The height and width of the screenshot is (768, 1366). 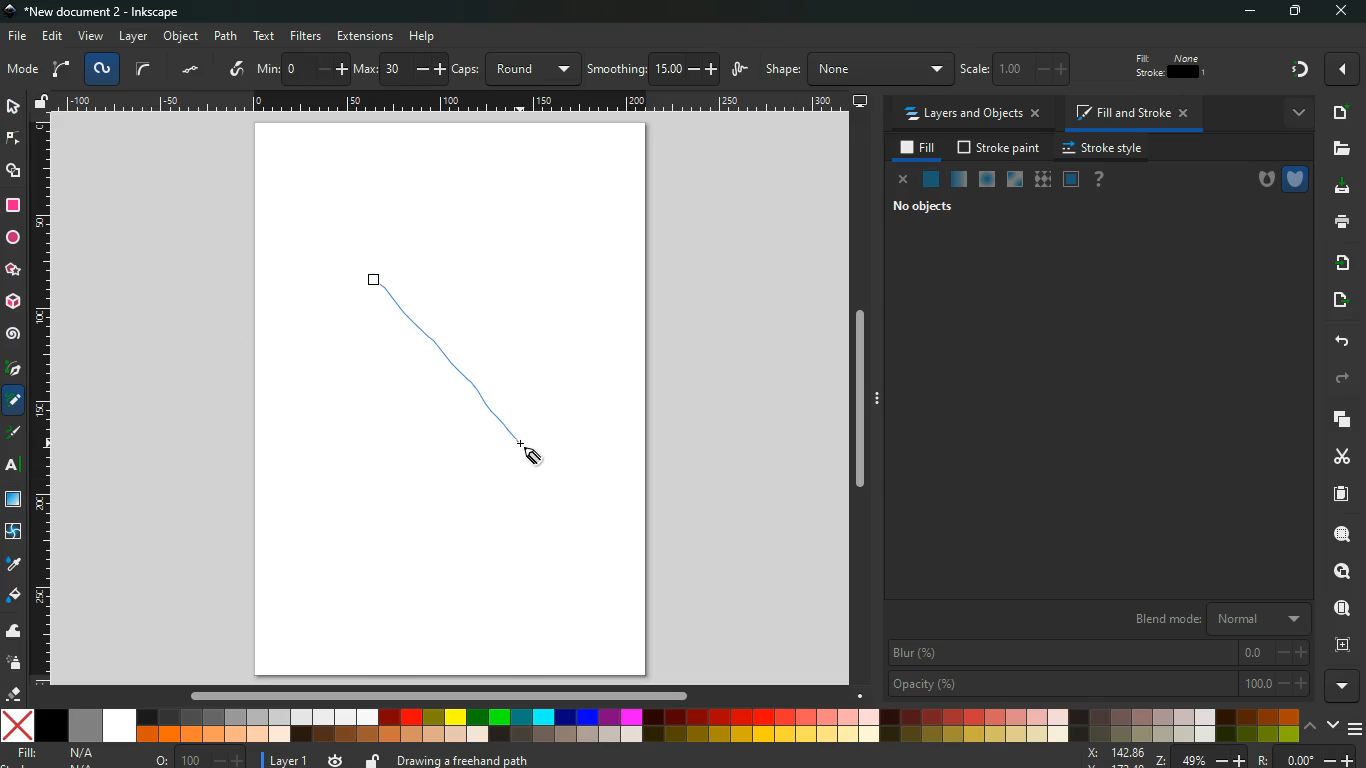 I want to click on edit, so click(x=54, y=35).